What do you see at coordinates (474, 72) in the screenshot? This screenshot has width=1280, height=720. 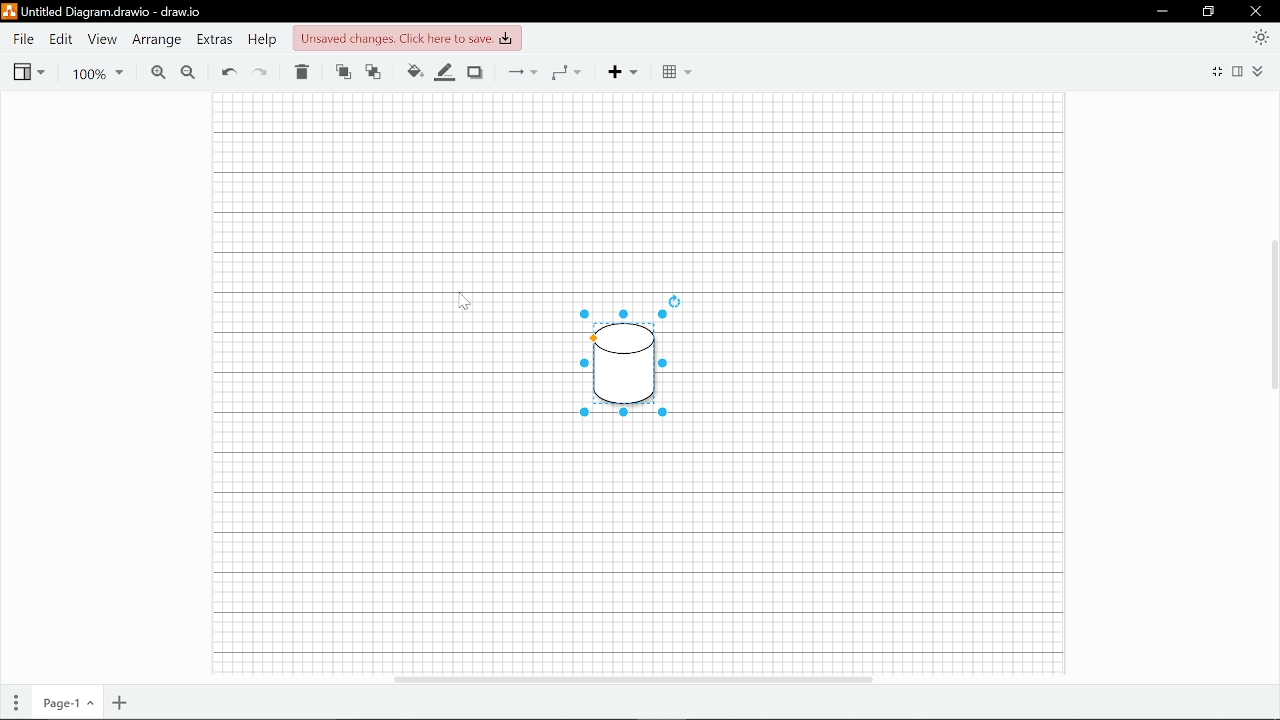 I see `Shadow` at bounding box center [474, 72].